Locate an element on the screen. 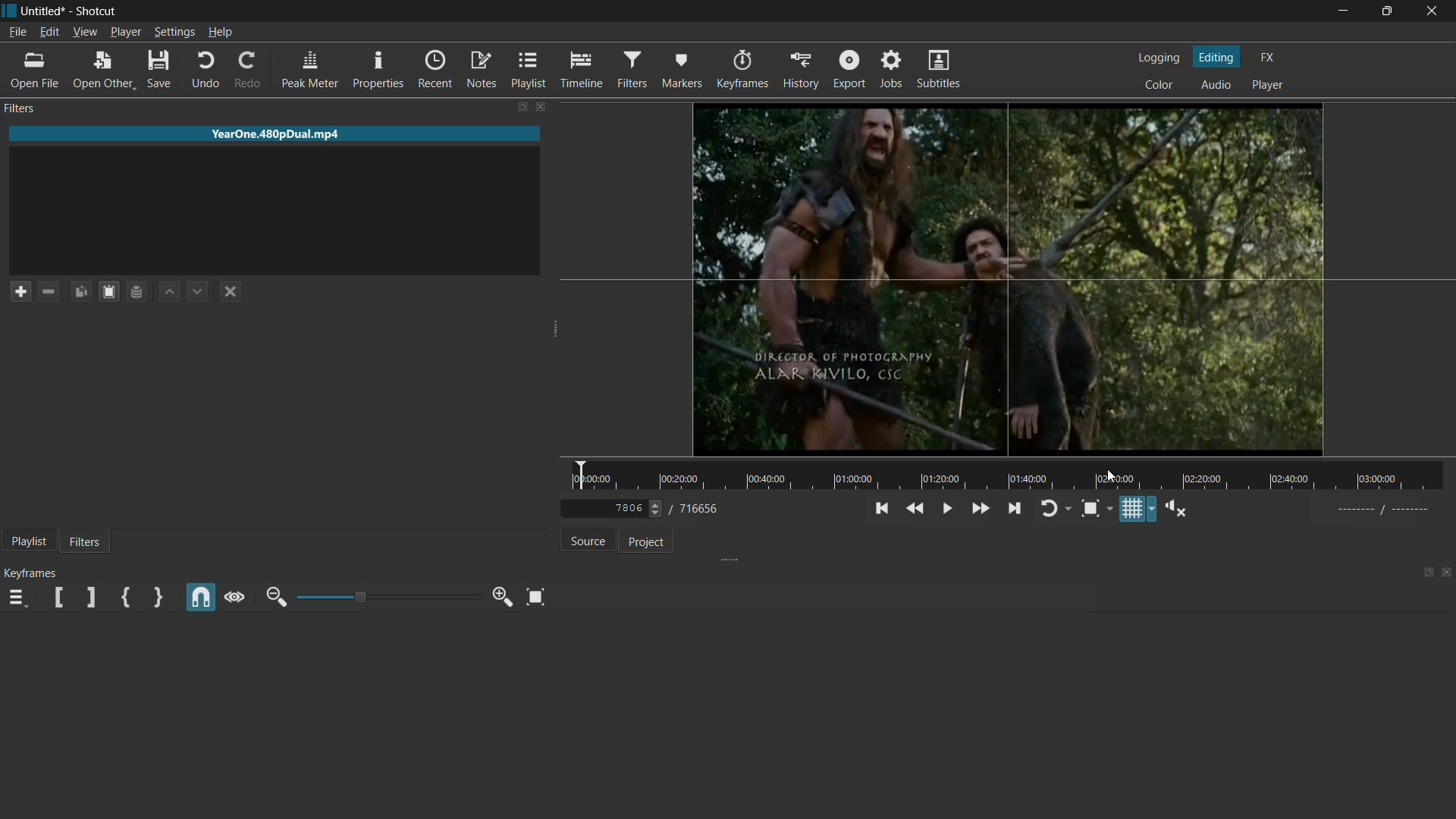  save is located at coordinates (160, 68).